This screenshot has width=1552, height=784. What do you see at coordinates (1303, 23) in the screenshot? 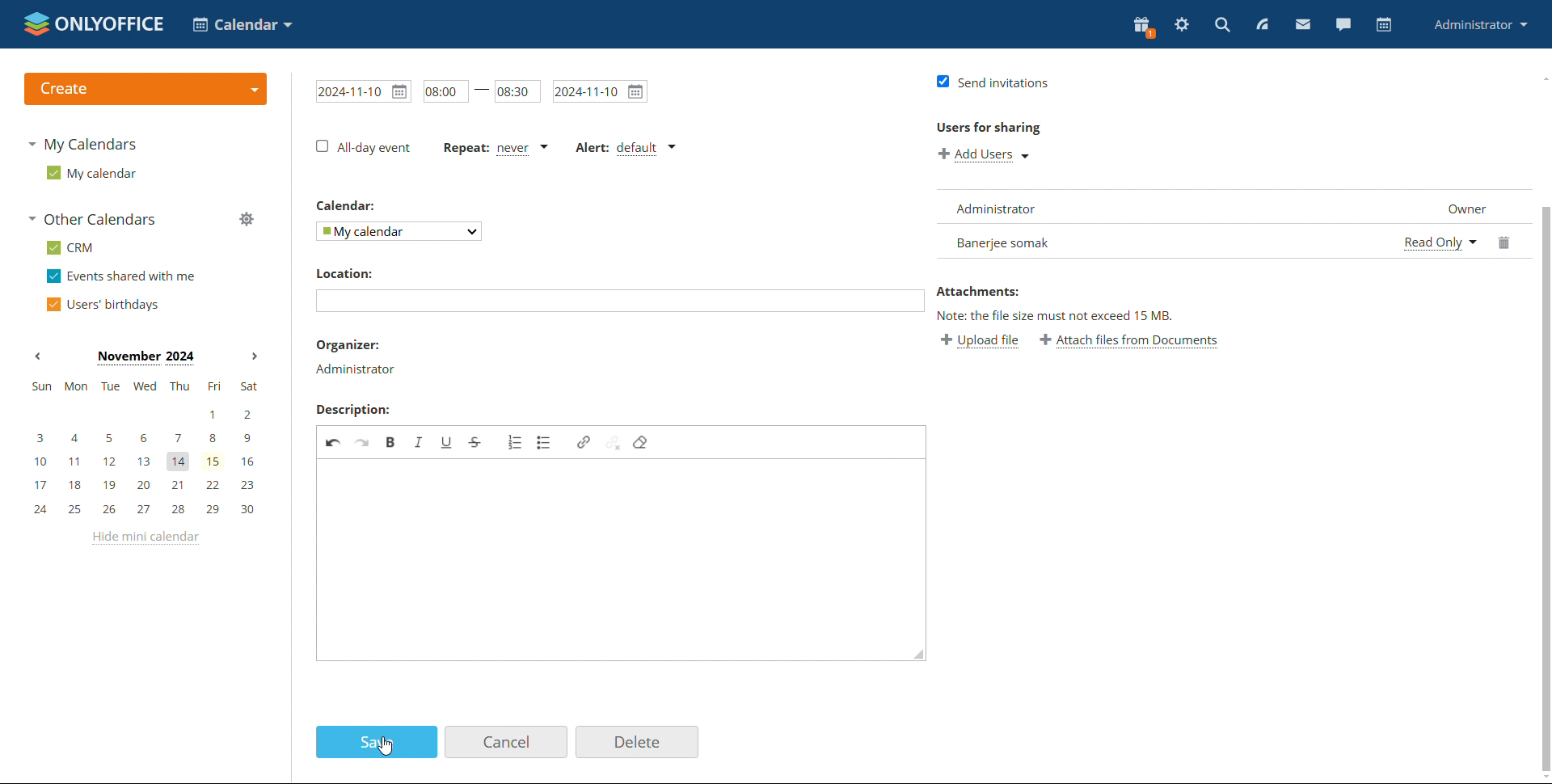
I see `mail` at bounding box center [1303, 23].